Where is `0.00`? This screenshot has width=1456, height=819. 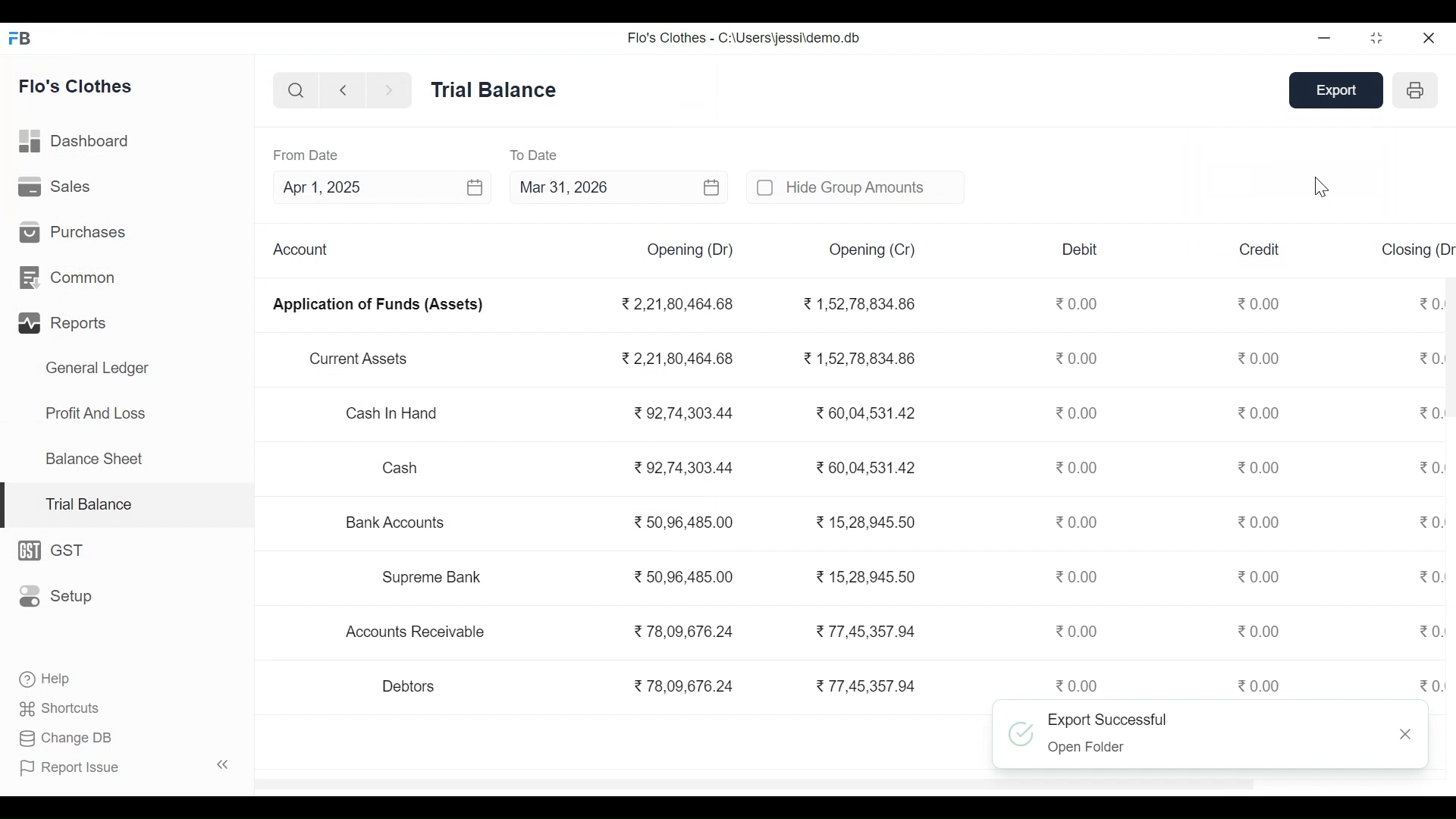 0.00 is located at coordinates (1429, 685).